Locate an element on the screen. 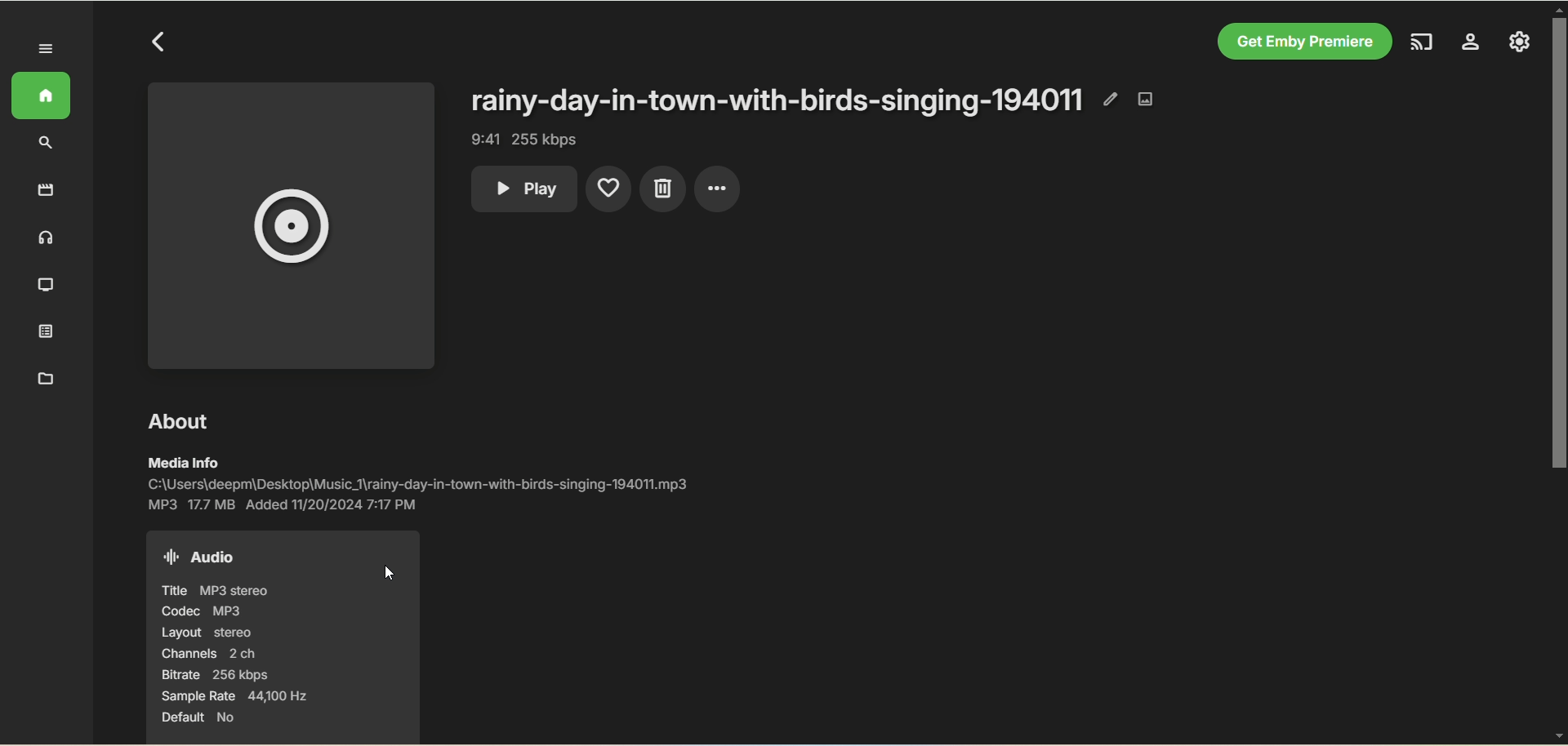  title mp3 stereo is located at coordinates (215, 589).